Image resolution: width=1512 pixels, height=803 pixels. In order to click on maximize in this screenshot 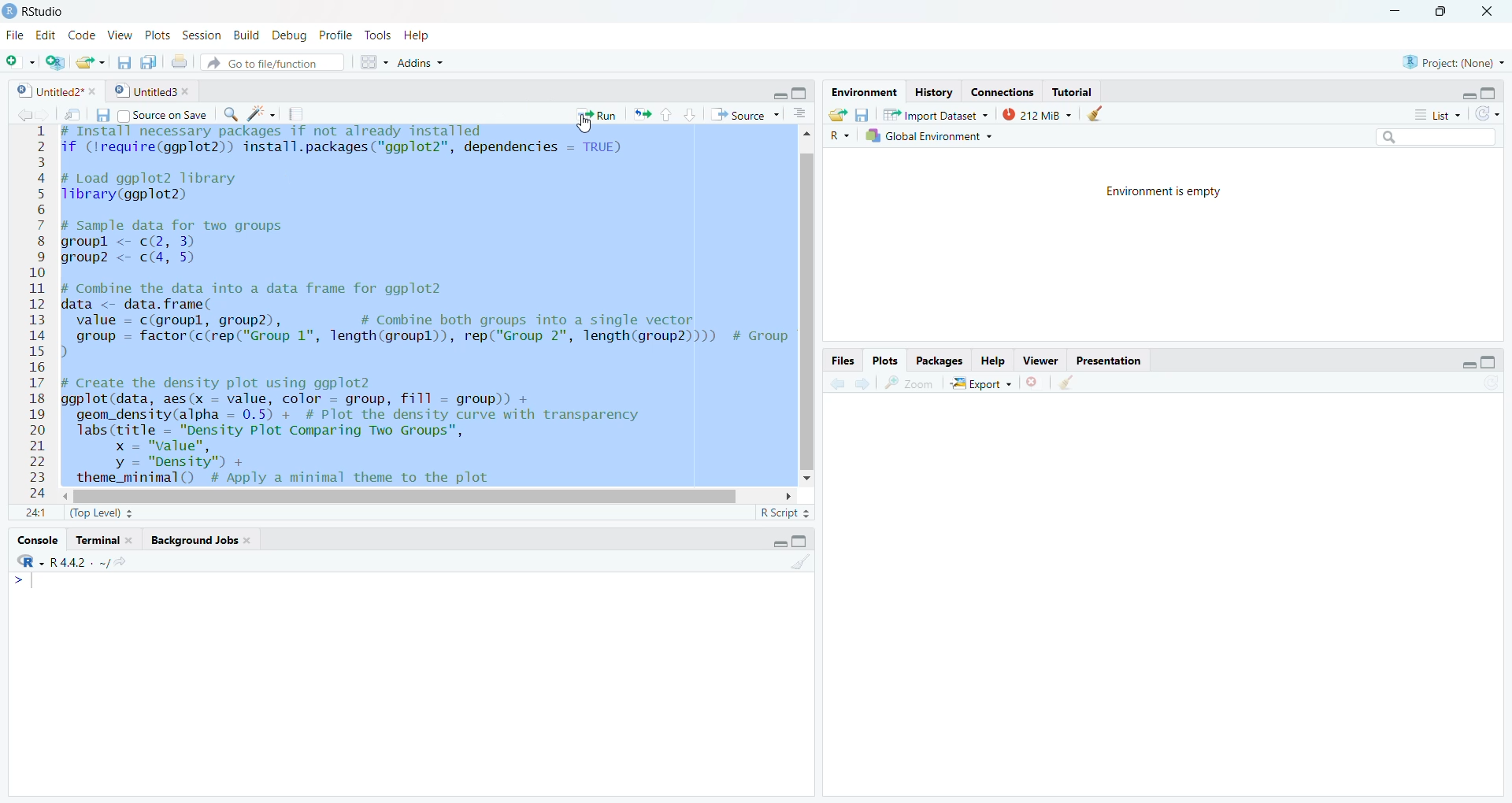, I will do `click(1491, 363)`.